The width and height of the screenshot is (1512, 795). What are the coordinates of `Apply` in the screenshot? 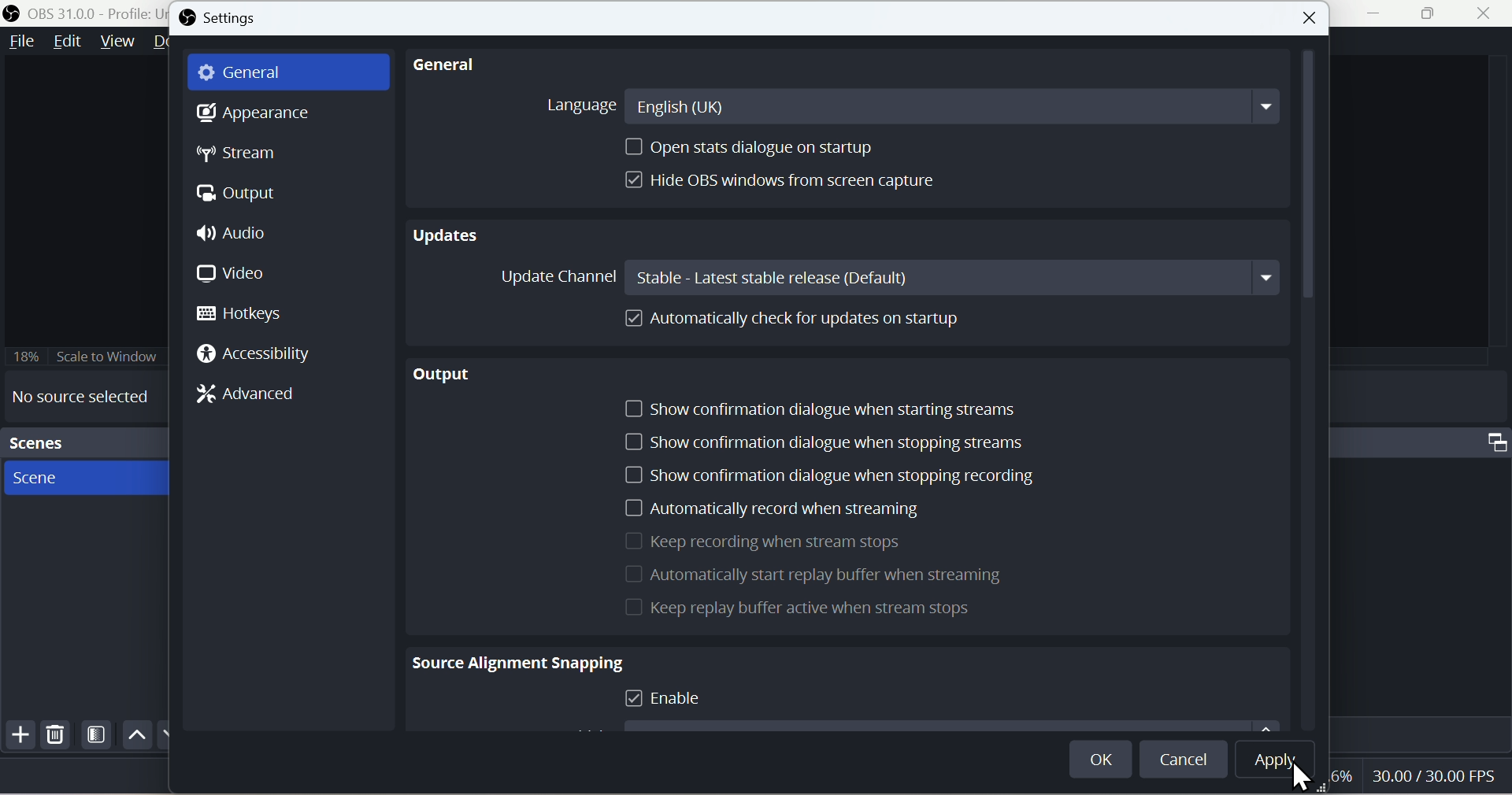 It's located at (1275, 760).